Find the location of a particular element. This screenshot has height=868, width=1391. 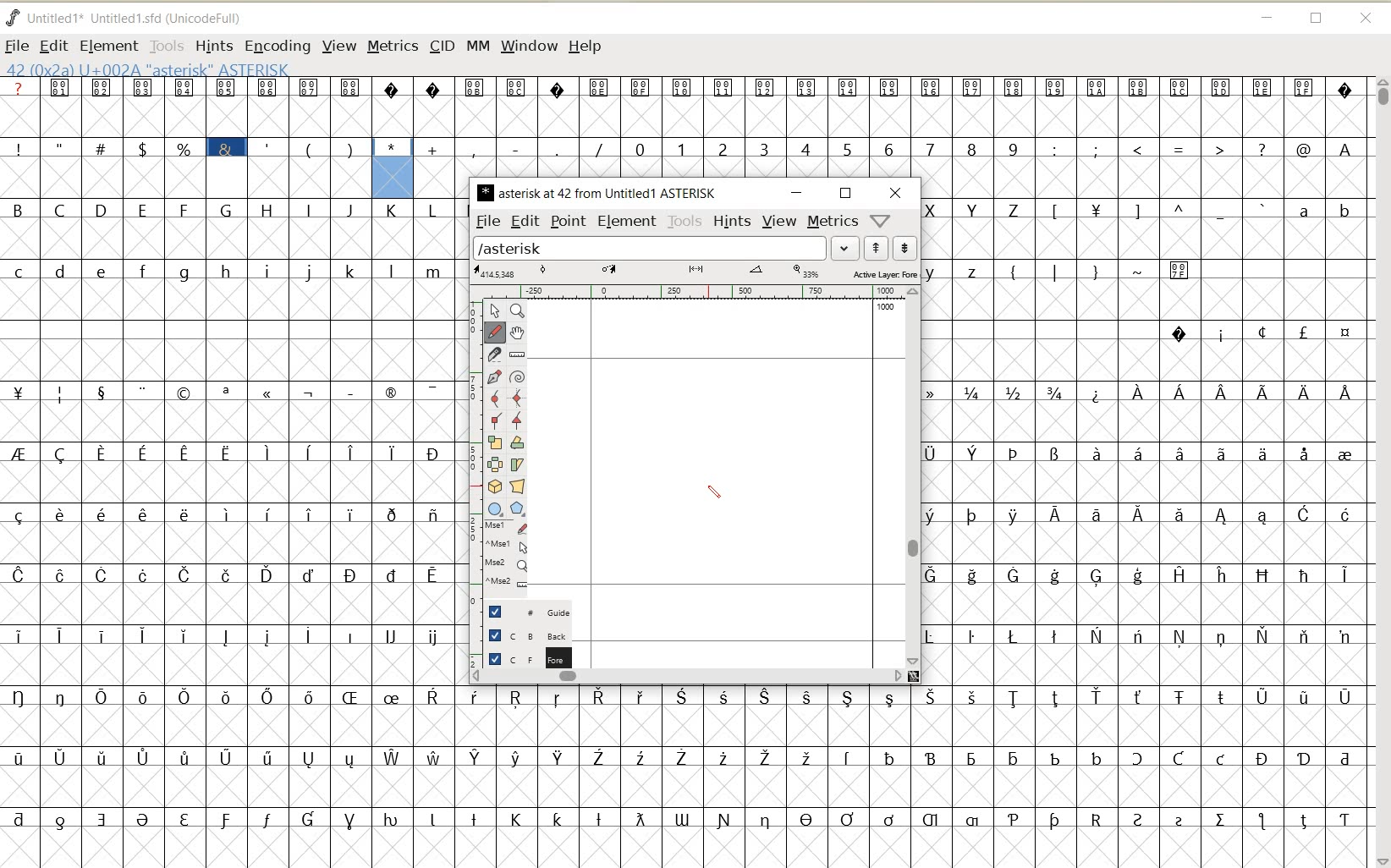

fontforge logo is located at coordinates (14, 16).